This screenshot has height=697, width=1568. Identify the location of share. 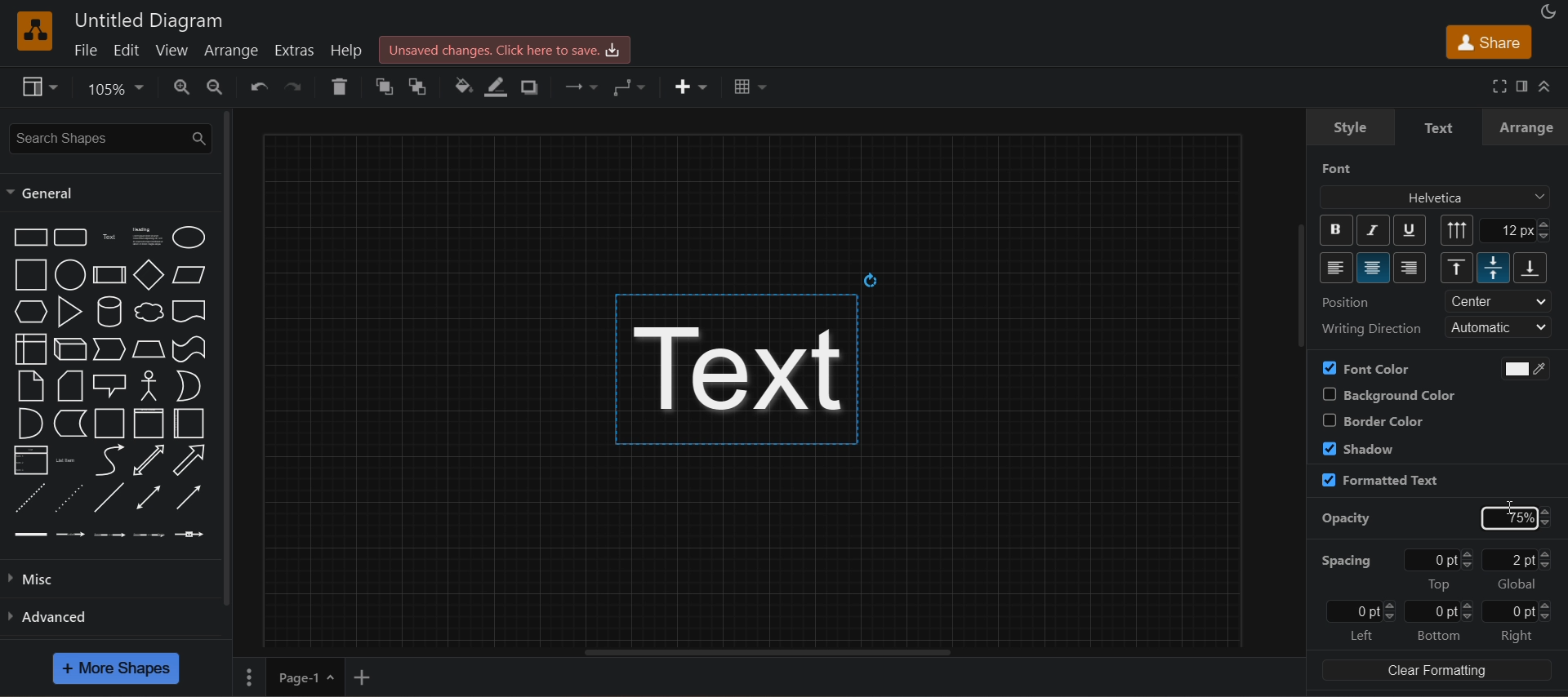
(1487, 42).